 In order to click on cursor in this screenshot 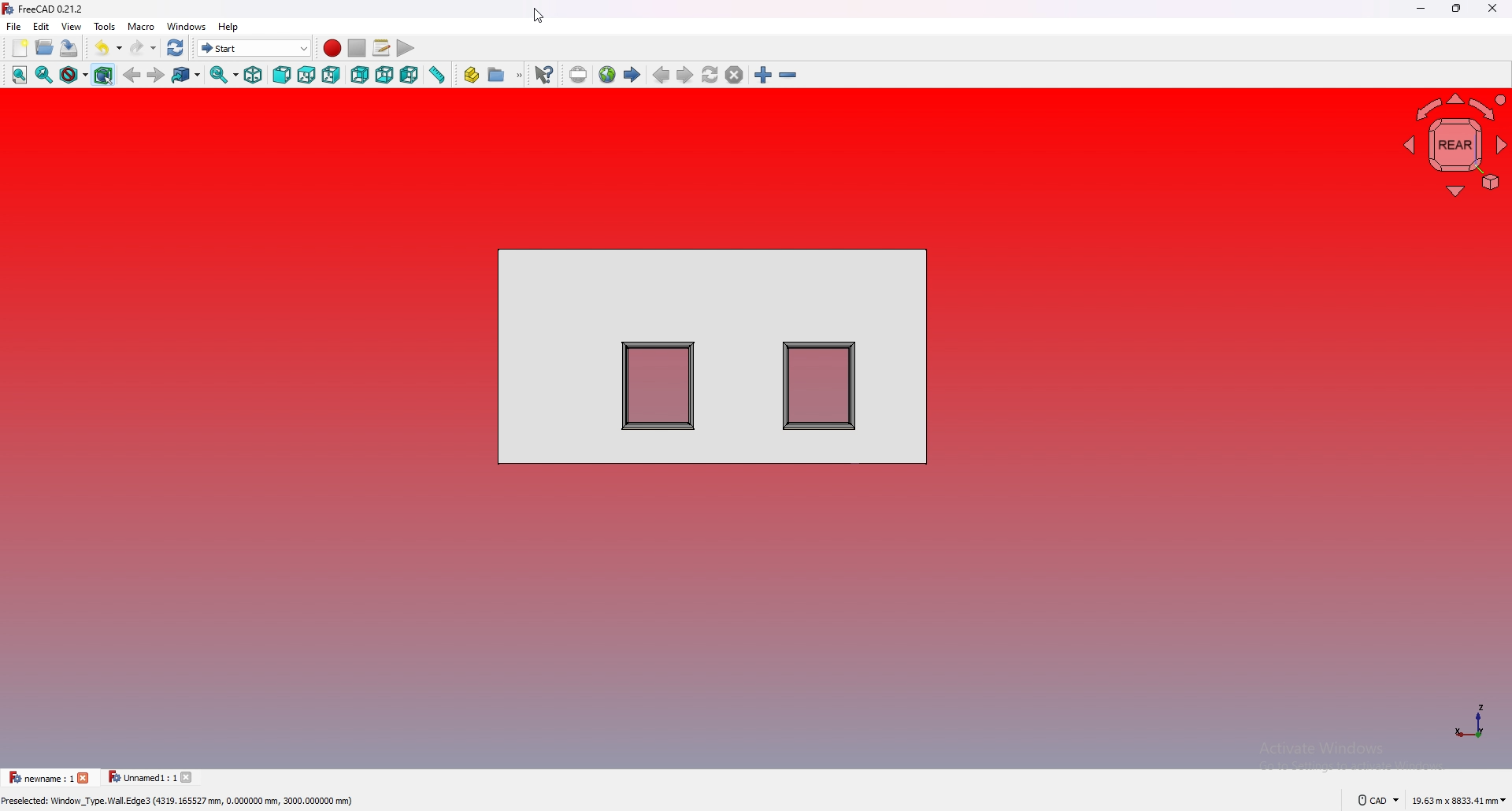, I will do `click(538, 16)`.